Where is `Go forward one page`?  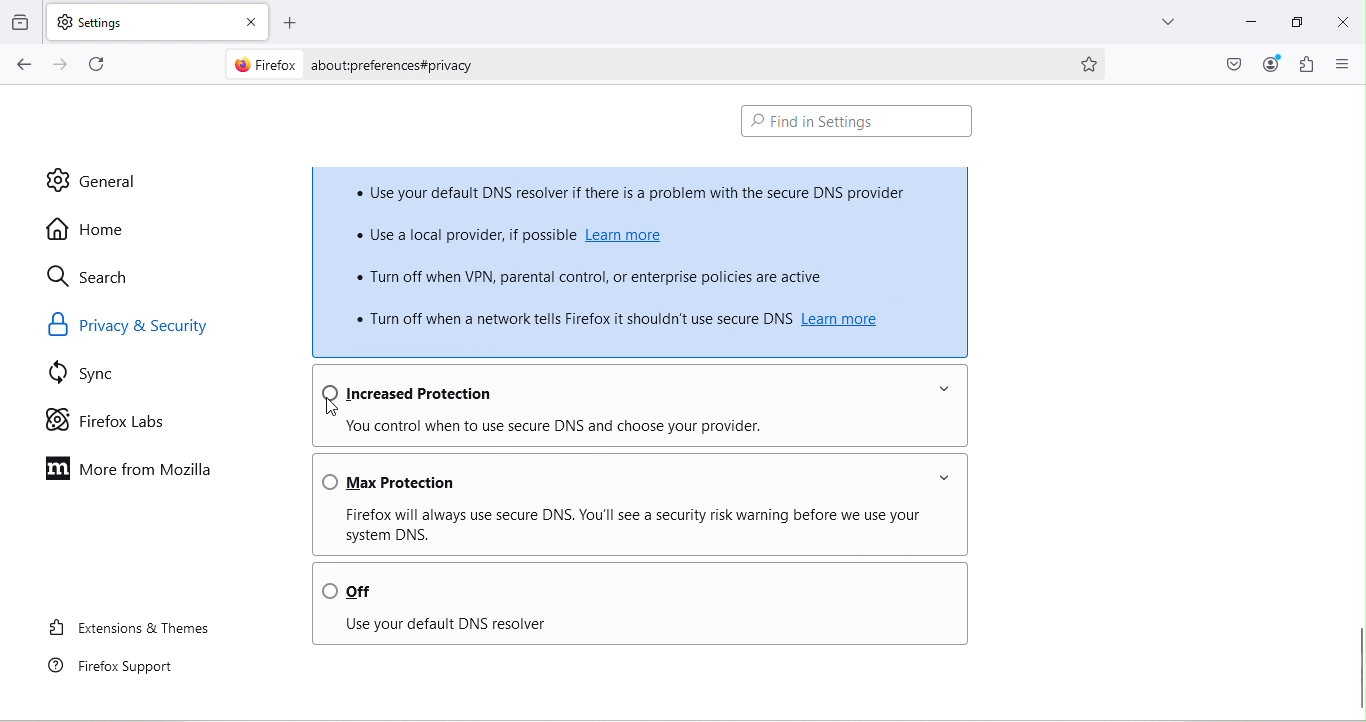 Go forward one page is located at coordinates (59, 65).